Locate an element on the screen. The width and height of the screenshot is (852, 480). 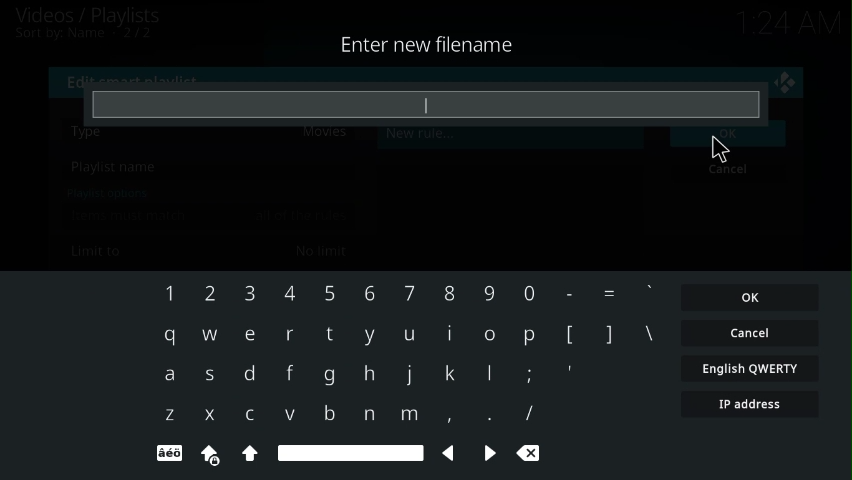
movies is located at coordinates (325, 131).